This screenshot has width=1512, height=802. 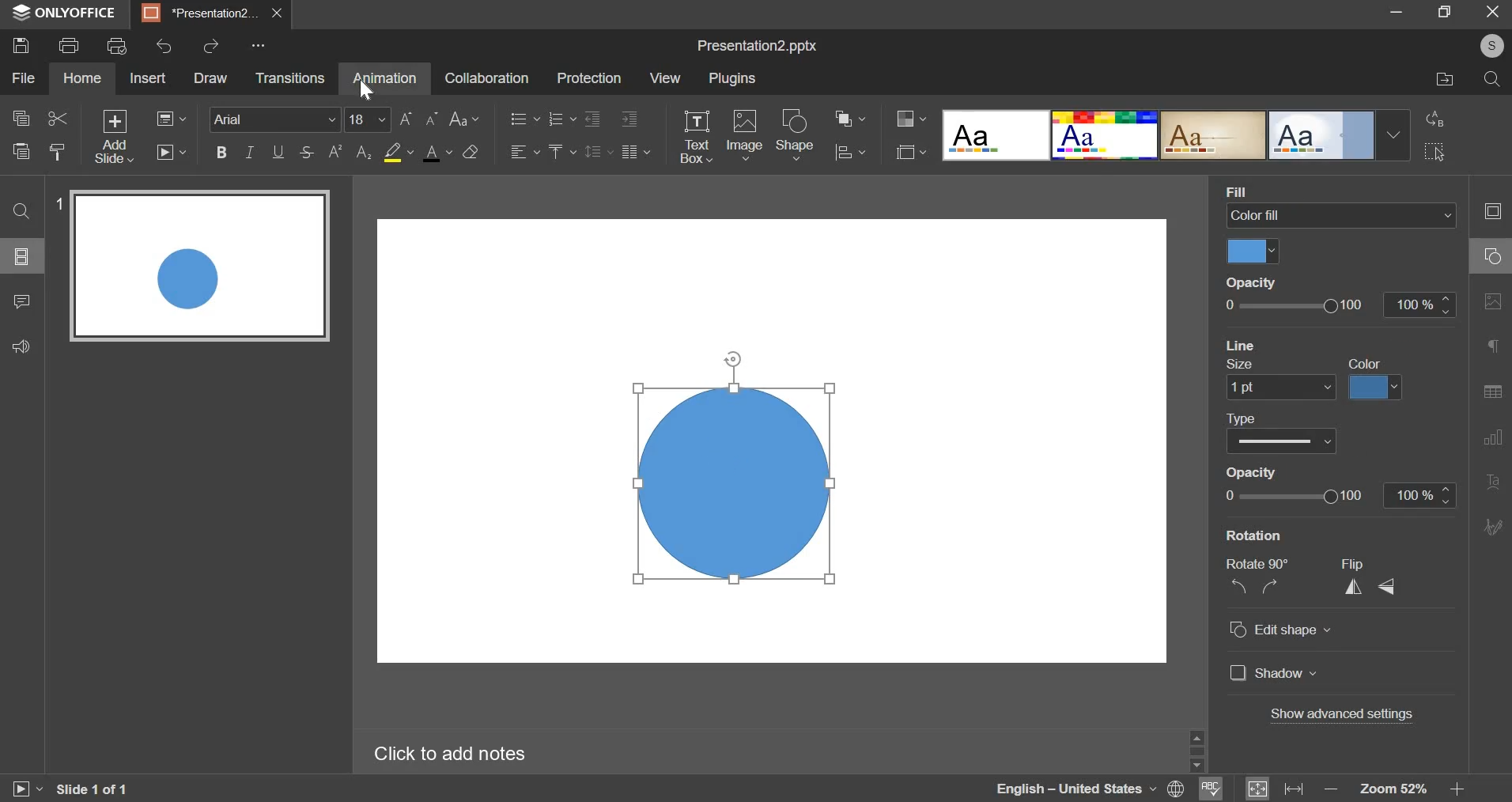 What do you see at coordinates (1339, 216) in the screenshot?
I see `background fill` at bounding box center [1339, 216].